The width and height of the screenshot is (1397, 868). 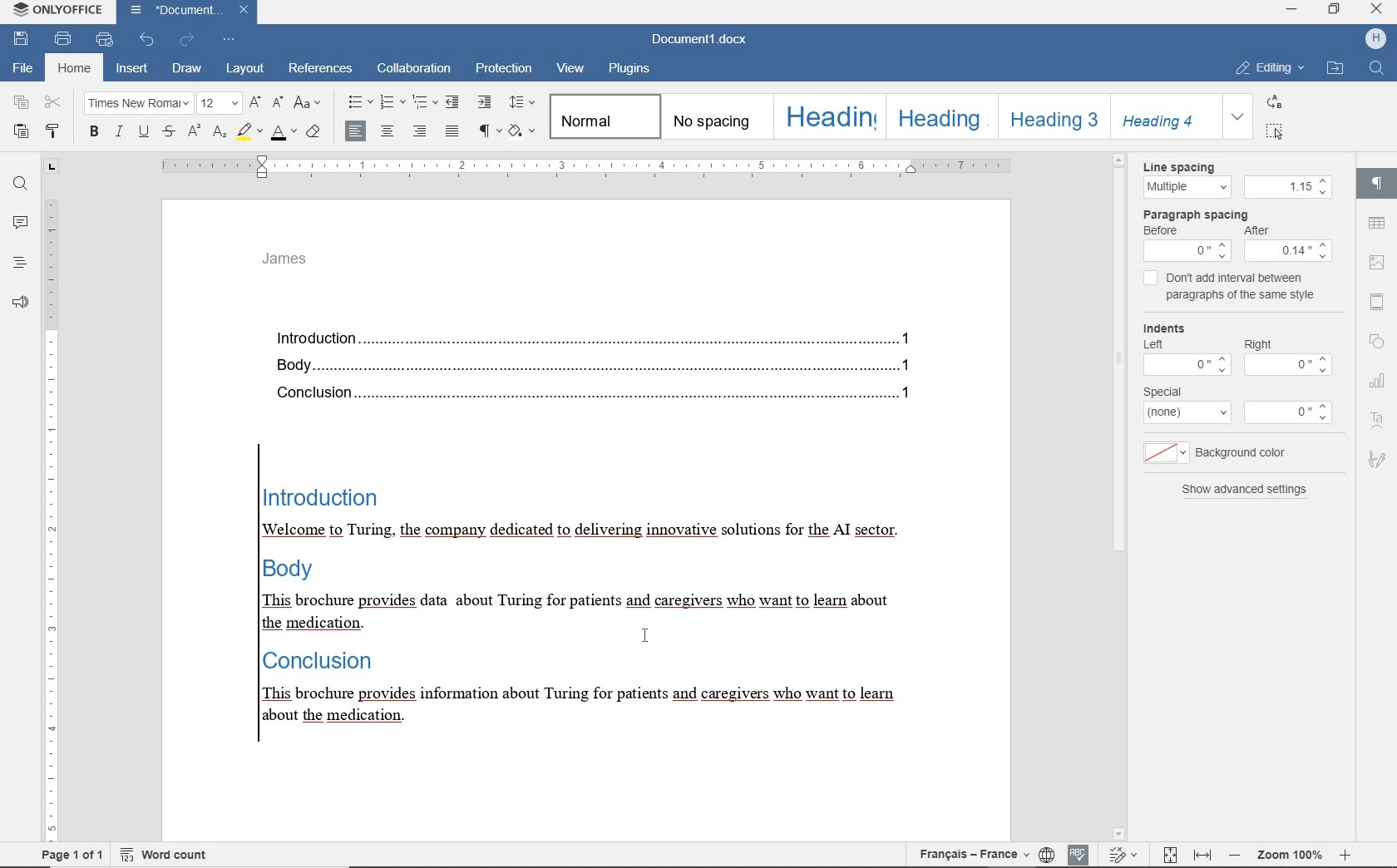 What do you see at coordinates (138, 104) in the screenshot?
I see `font` at bounding box center [138, 104].